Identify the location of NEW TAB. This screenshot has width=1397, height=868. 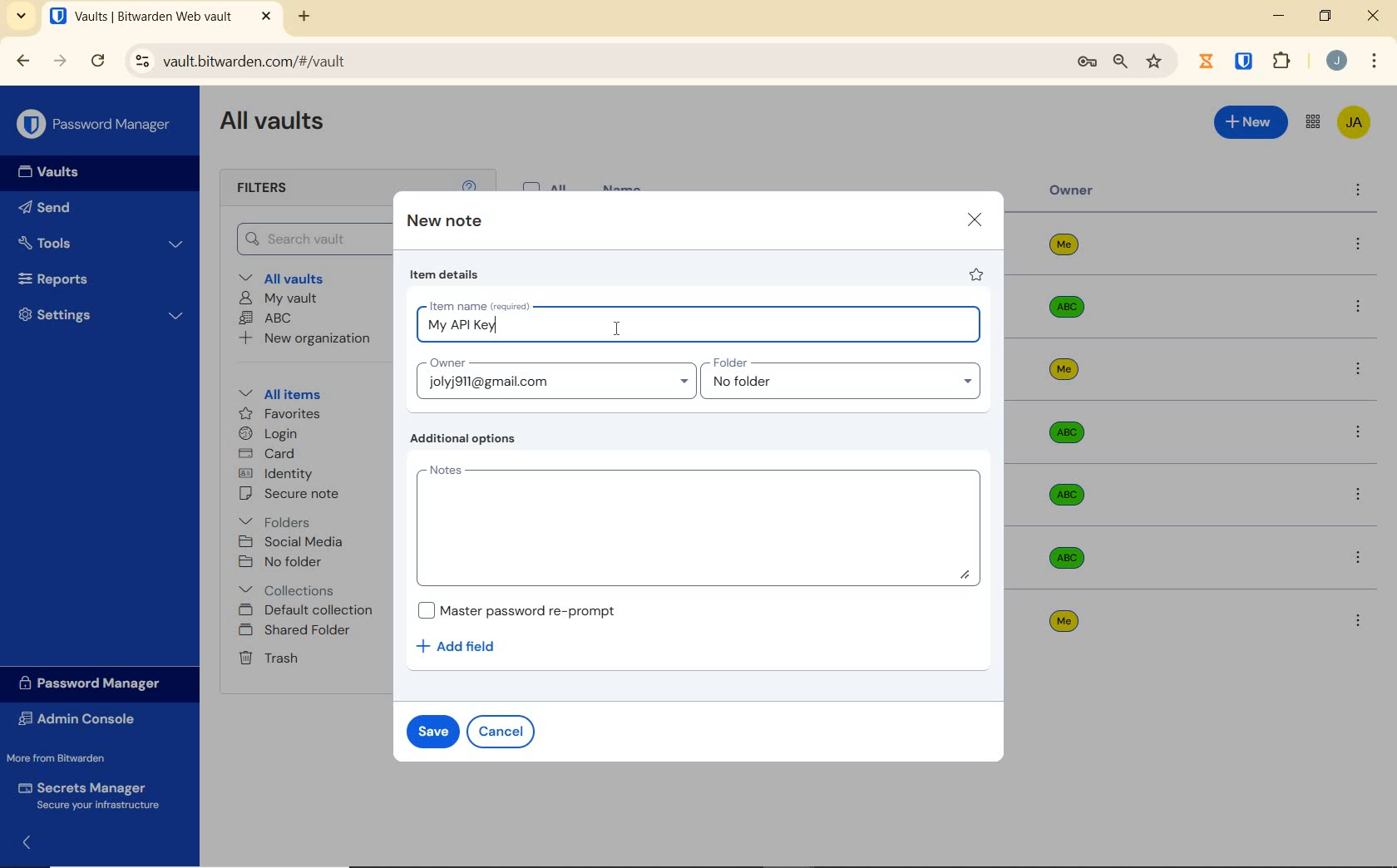
(306, 17).